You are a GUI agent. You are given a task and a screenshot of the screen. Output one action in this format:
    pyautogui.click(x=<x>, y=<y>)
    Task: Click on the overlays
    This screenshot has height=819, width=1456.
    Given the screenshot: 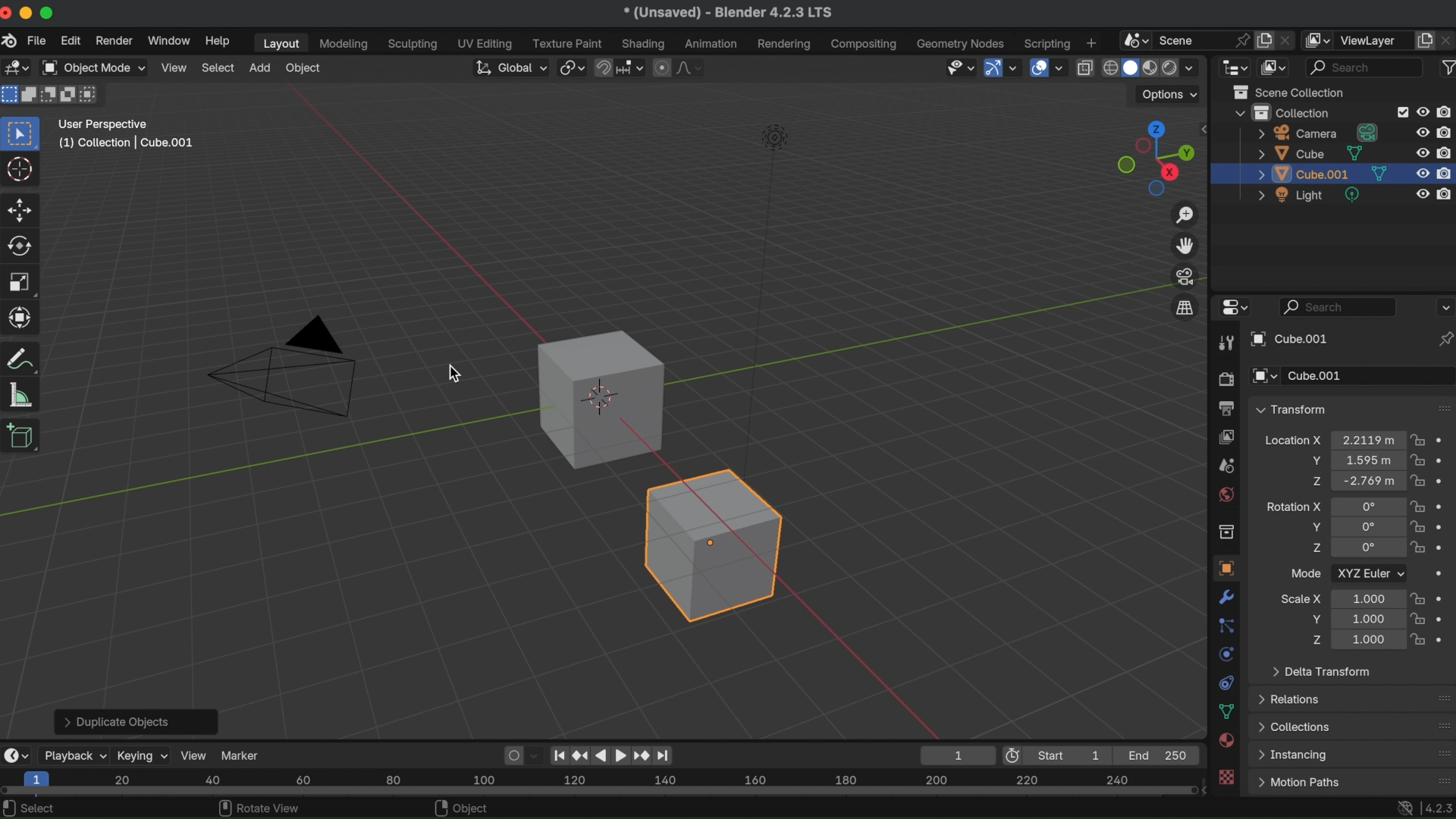 What is the action you would take?
    pyautogui.click(x=1061, y=69)
    